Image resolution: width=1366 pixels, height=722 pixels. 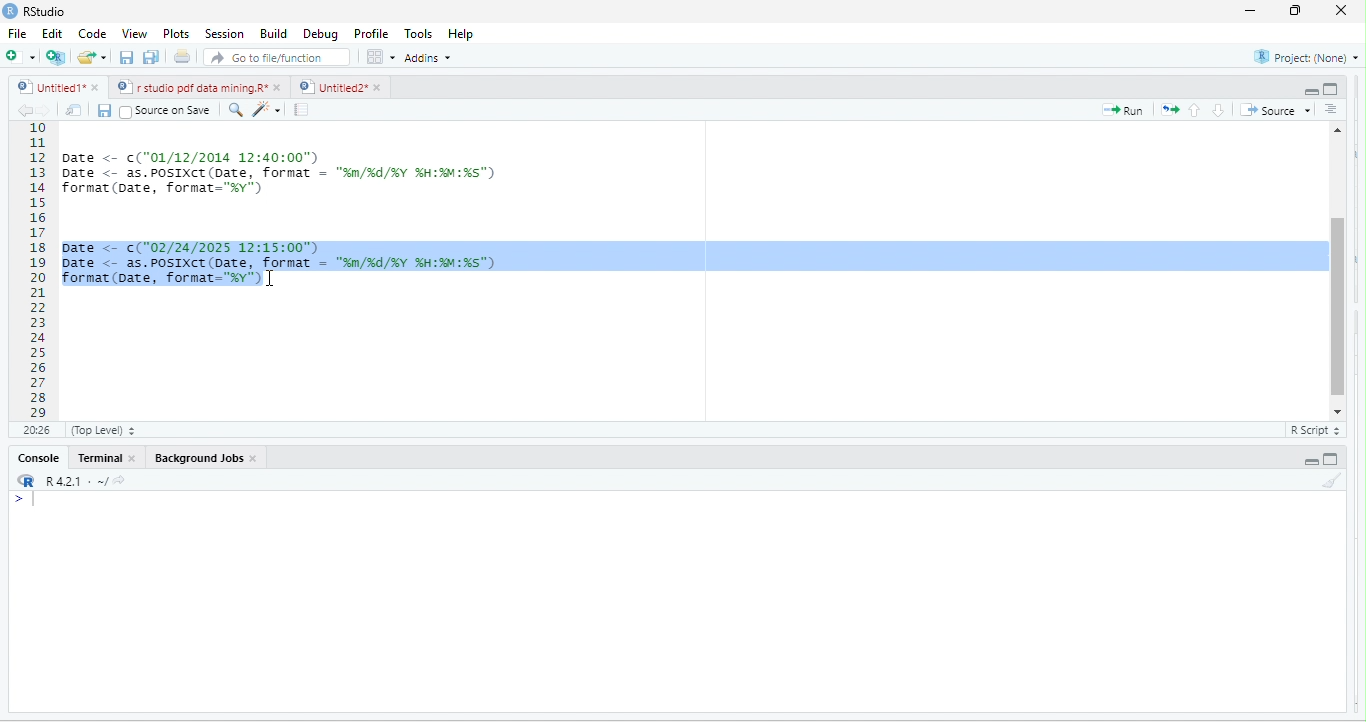 What do you see at coordinates (1336, 10) in the screenshot?
I see `close` at bounding box center [1336, 10].